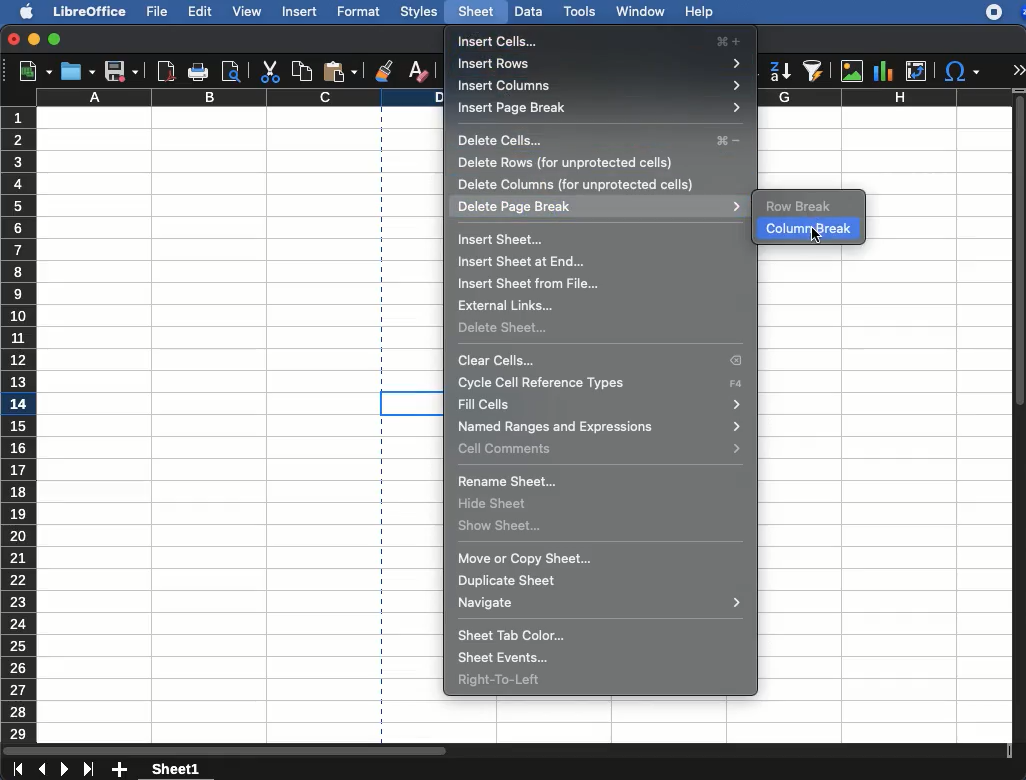 The width and height of the screenshot is (1026, 780). Describe the element at coordinates (780, 73) in the screenshot. I see `descending` at that location.